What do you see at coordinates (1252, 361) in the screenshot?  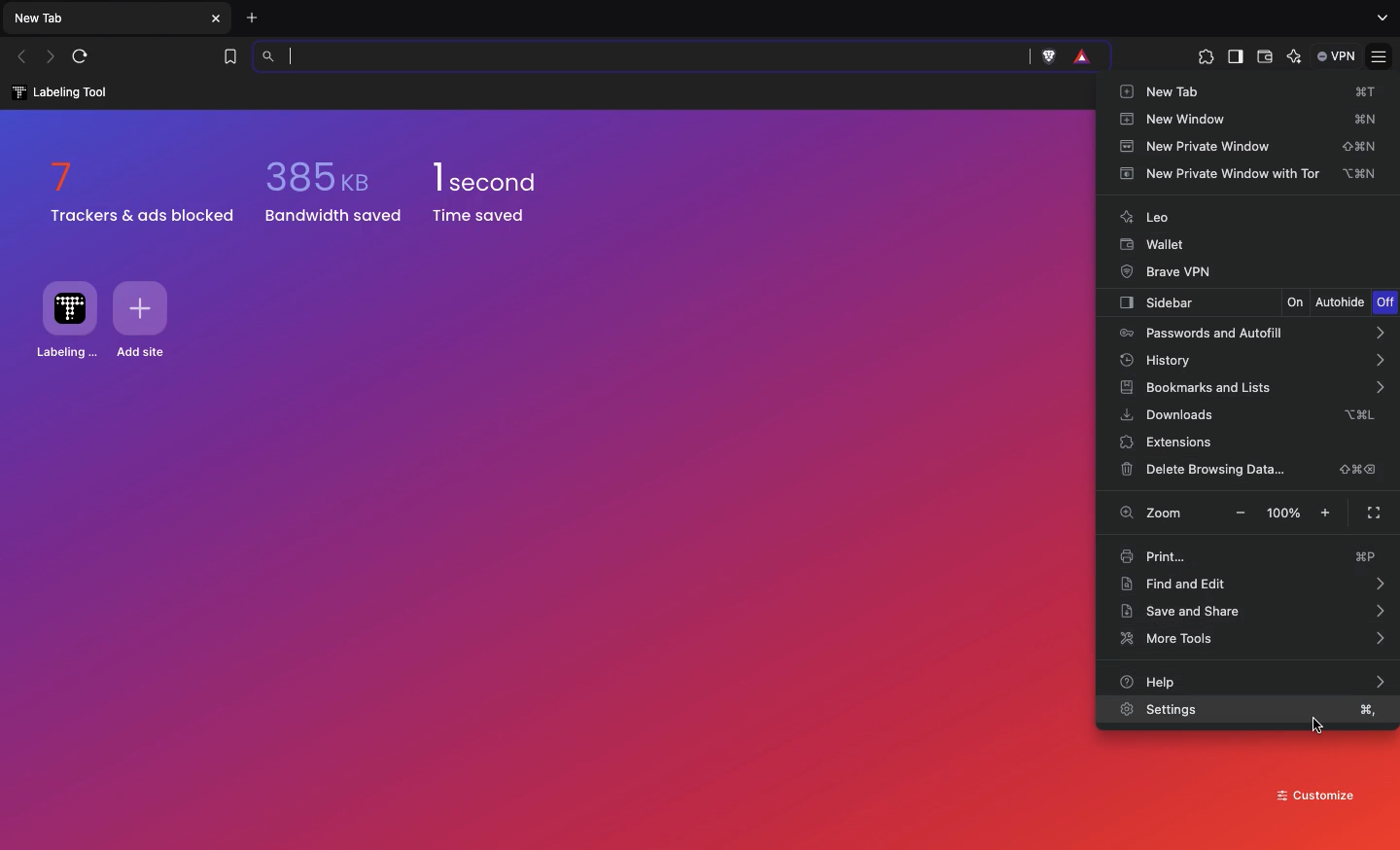 I see `History` at bounding box center [1252, 361].